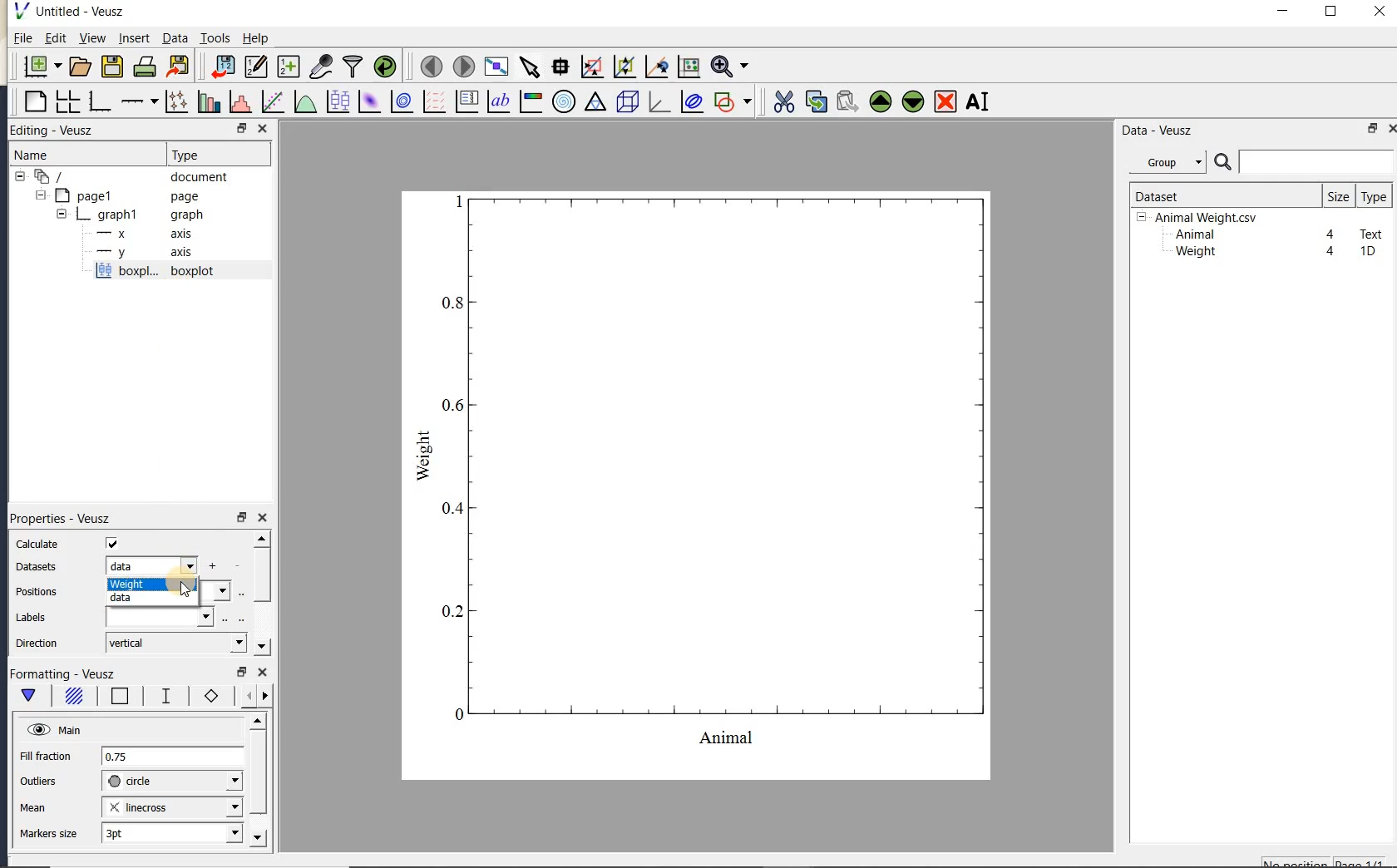  What do you see at coordinates (689, 67) in the screenshot?
I see `click to reset graph axes` at bounding box center [689, 67].